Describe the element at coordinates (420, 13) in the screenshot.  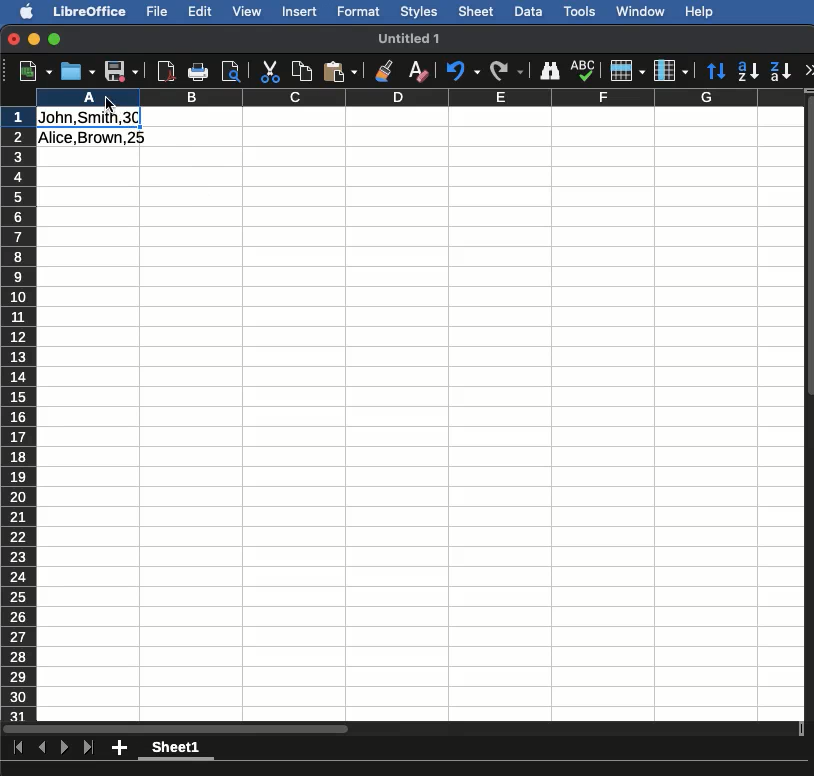
I see `Styles` at that location.